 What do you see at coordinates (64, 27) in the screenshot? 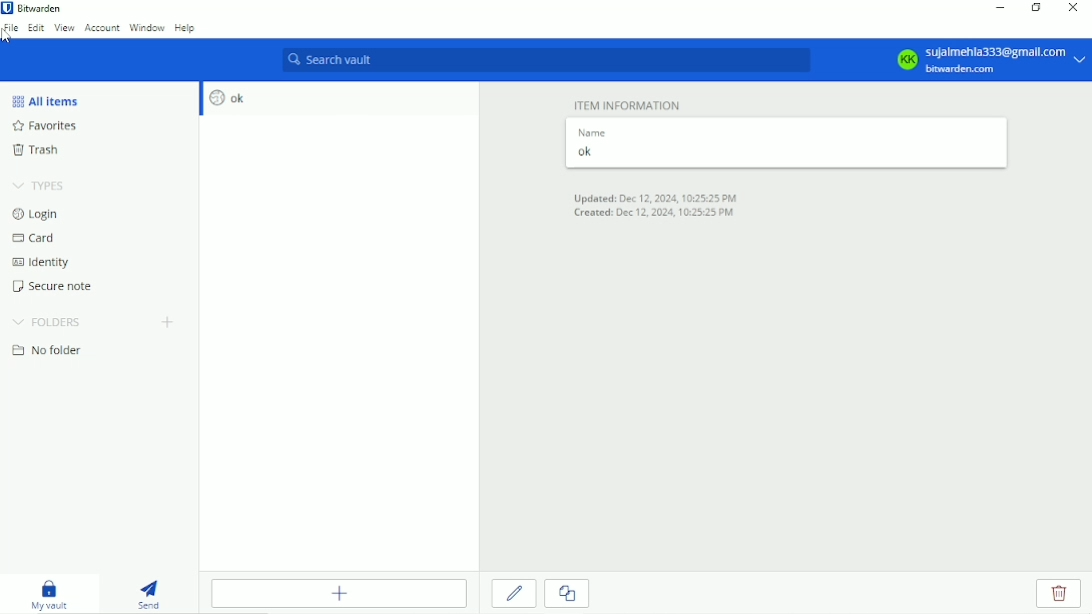
I see `View` at bounding box center [64, 27].